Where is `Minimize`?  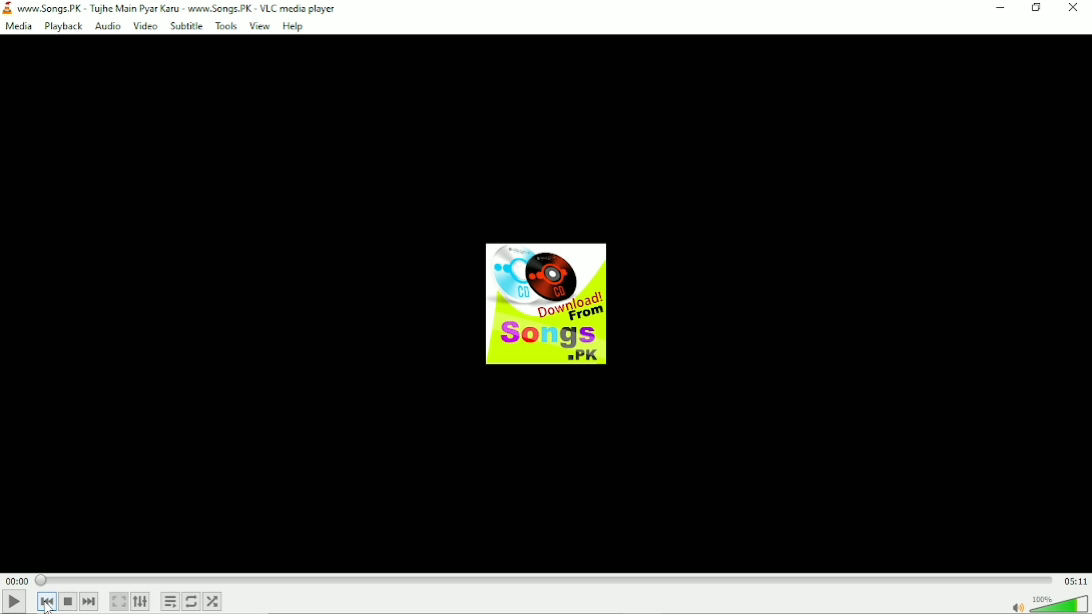
Minimize is located at coordinates (1000, 7).